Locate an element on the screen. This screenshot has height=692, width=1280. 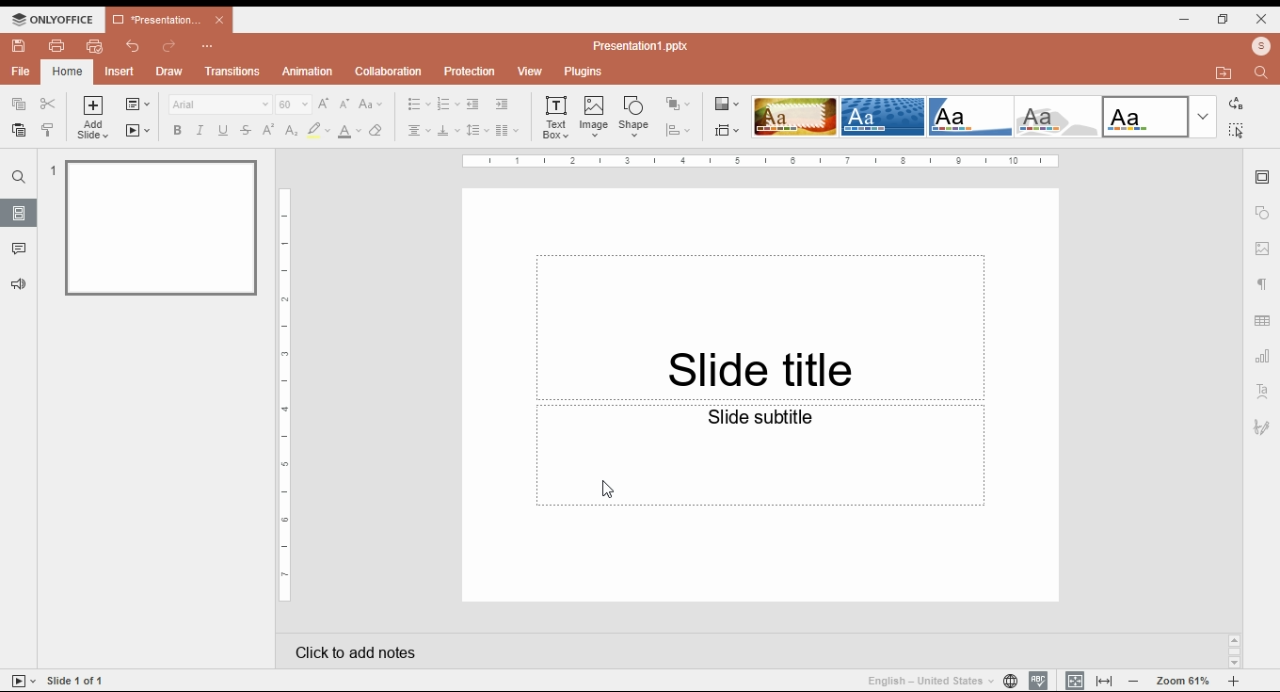
feedback and support is located at coordinates (20, 285).